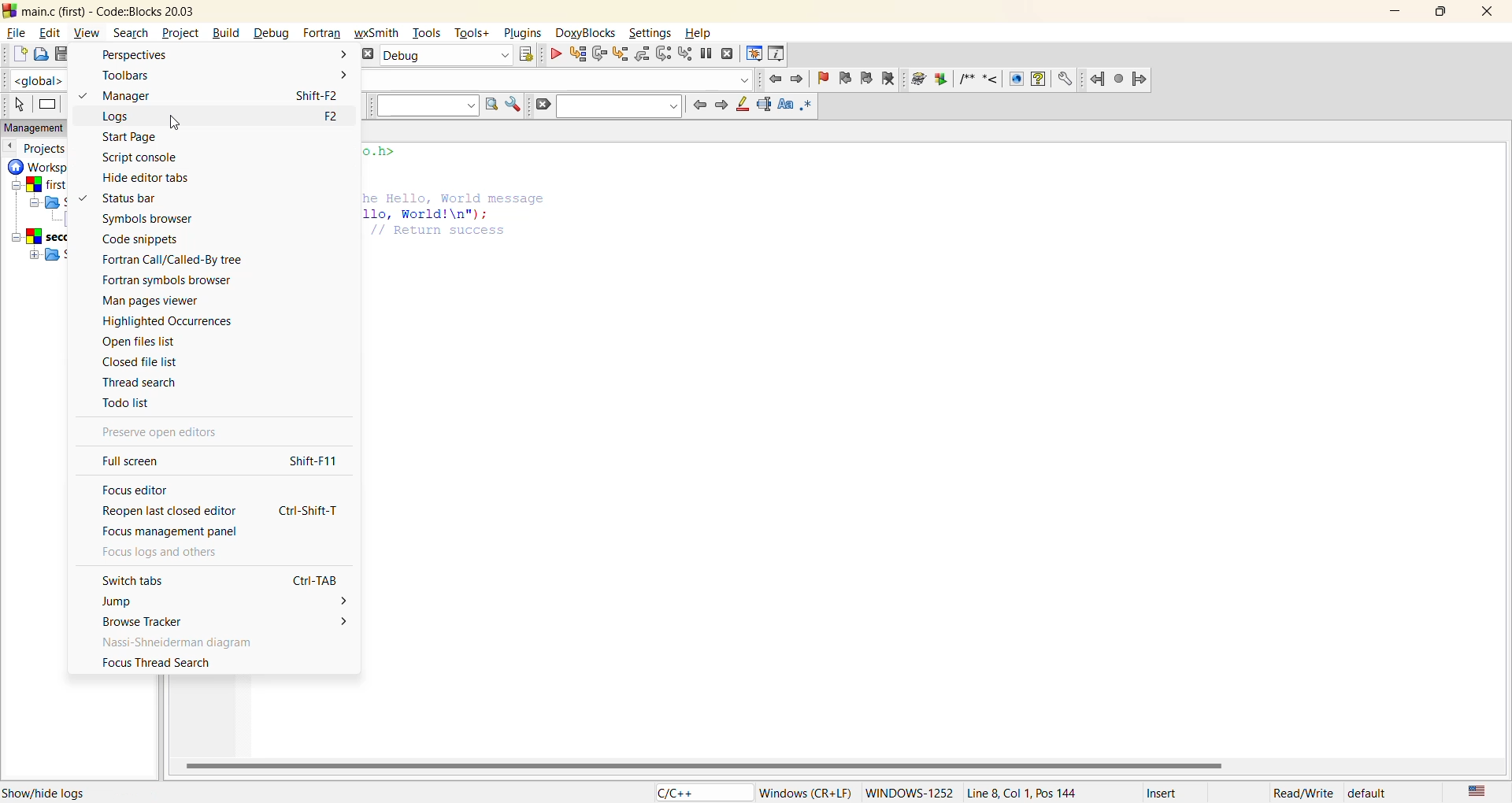 This screenshot has height=803, width=1512. Describe the element at coordinates (764, 104) in the screenshot. I see `selected text` at that location.